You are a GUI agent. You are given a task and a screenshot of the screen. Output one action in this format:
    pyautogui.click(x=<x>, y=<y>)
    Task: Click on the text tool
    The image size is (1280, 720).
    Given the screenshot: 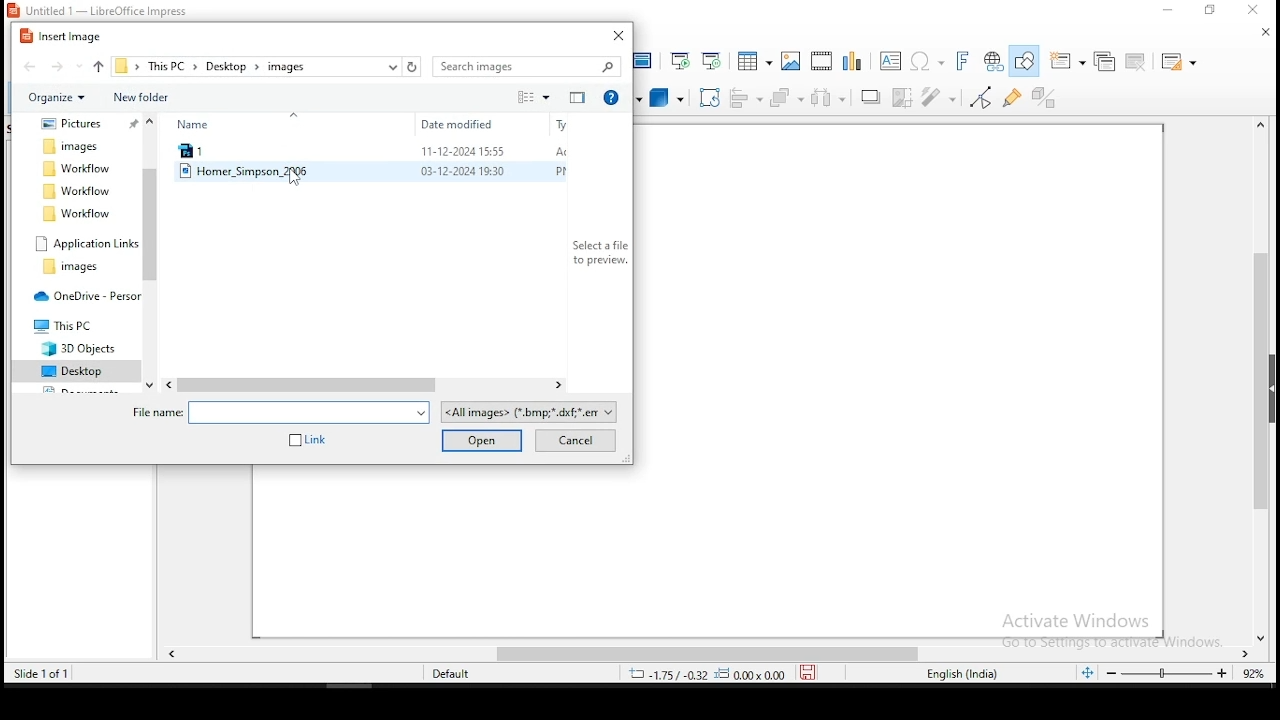 What is the action you would take?
    pyautogui.click(x=891, y=60)
    